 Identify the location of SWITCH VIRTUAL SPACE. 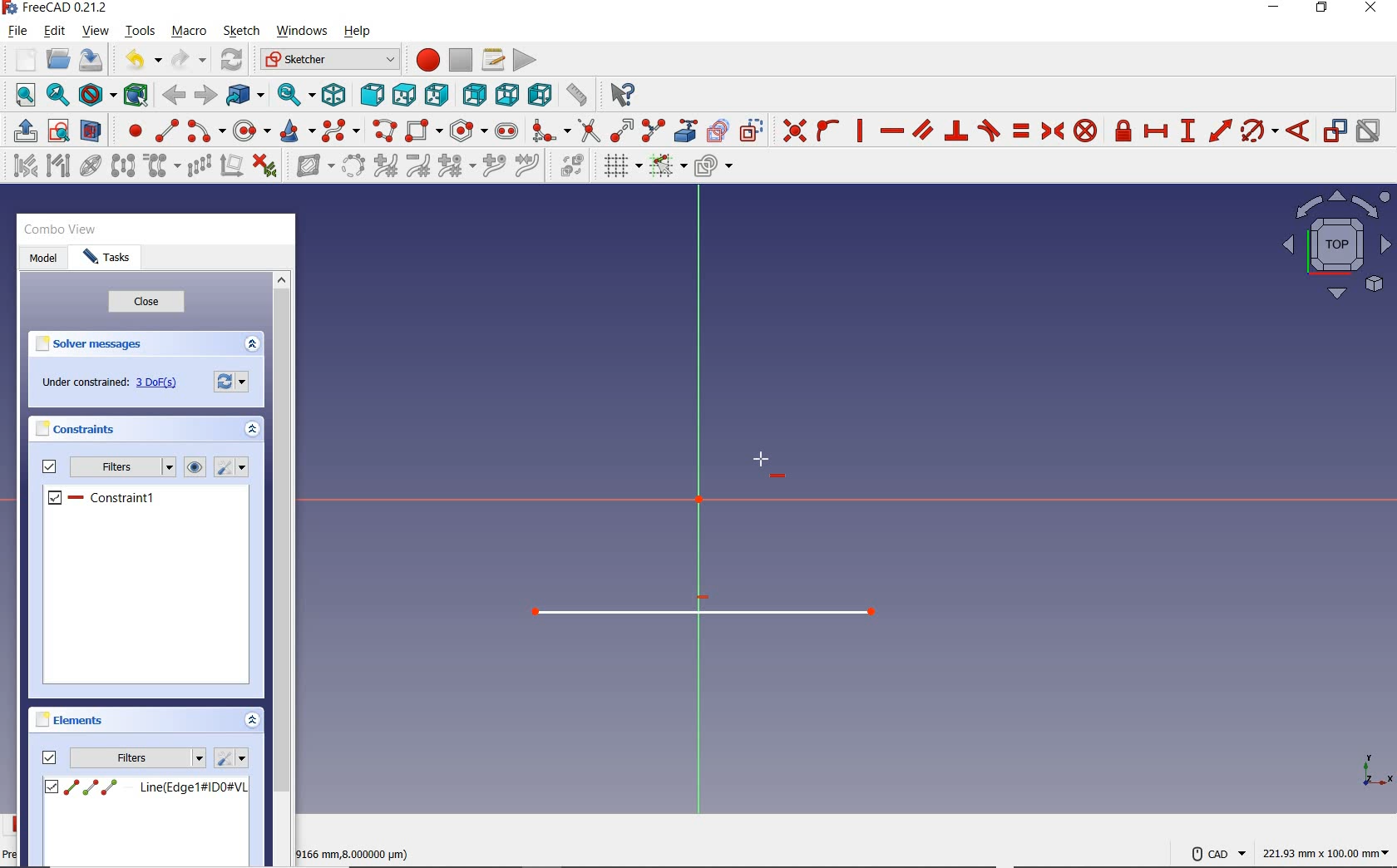
(572, 165).